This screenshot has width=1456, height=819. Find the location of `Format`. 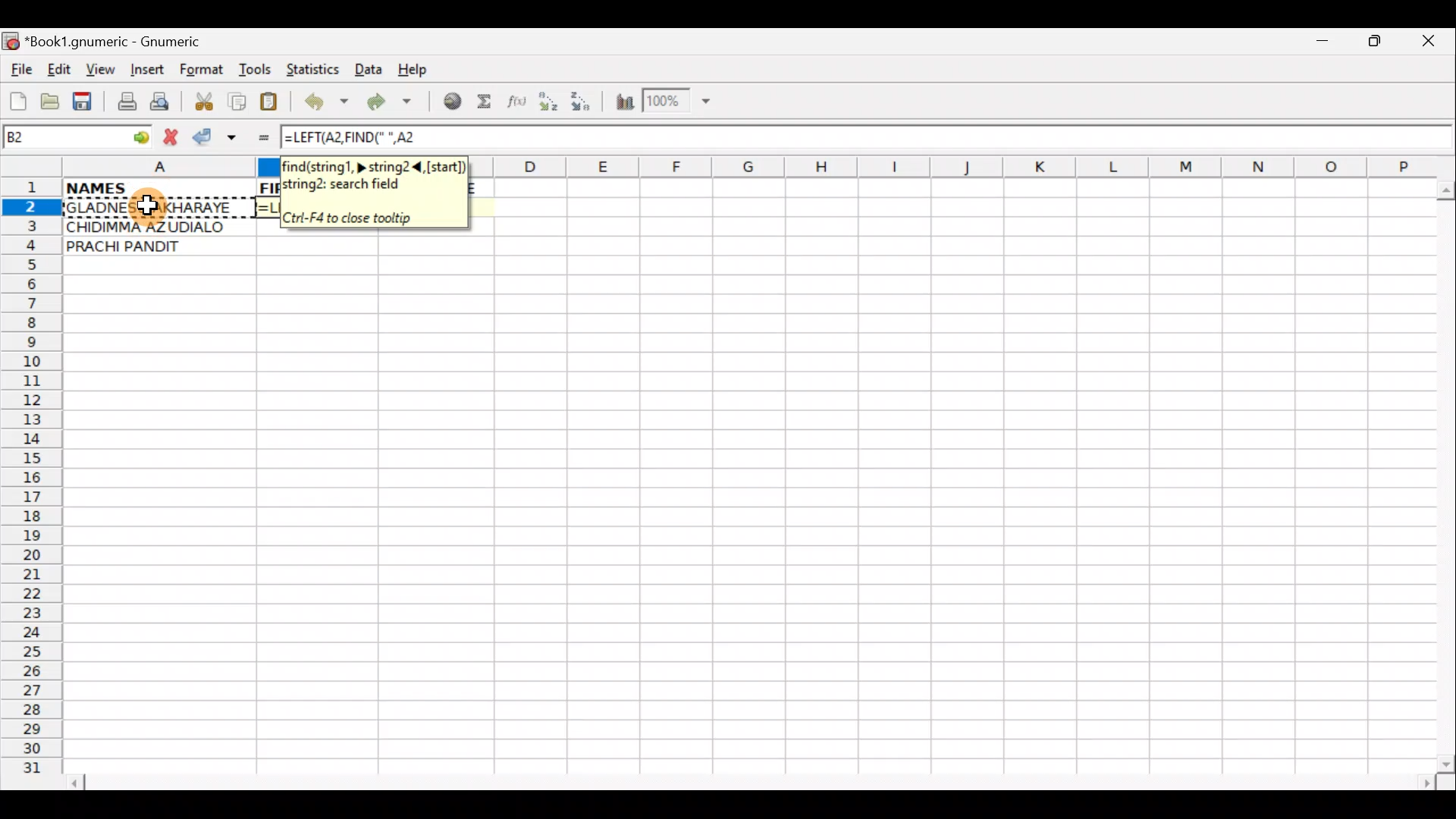

Format is located at coordinates (205, 71).